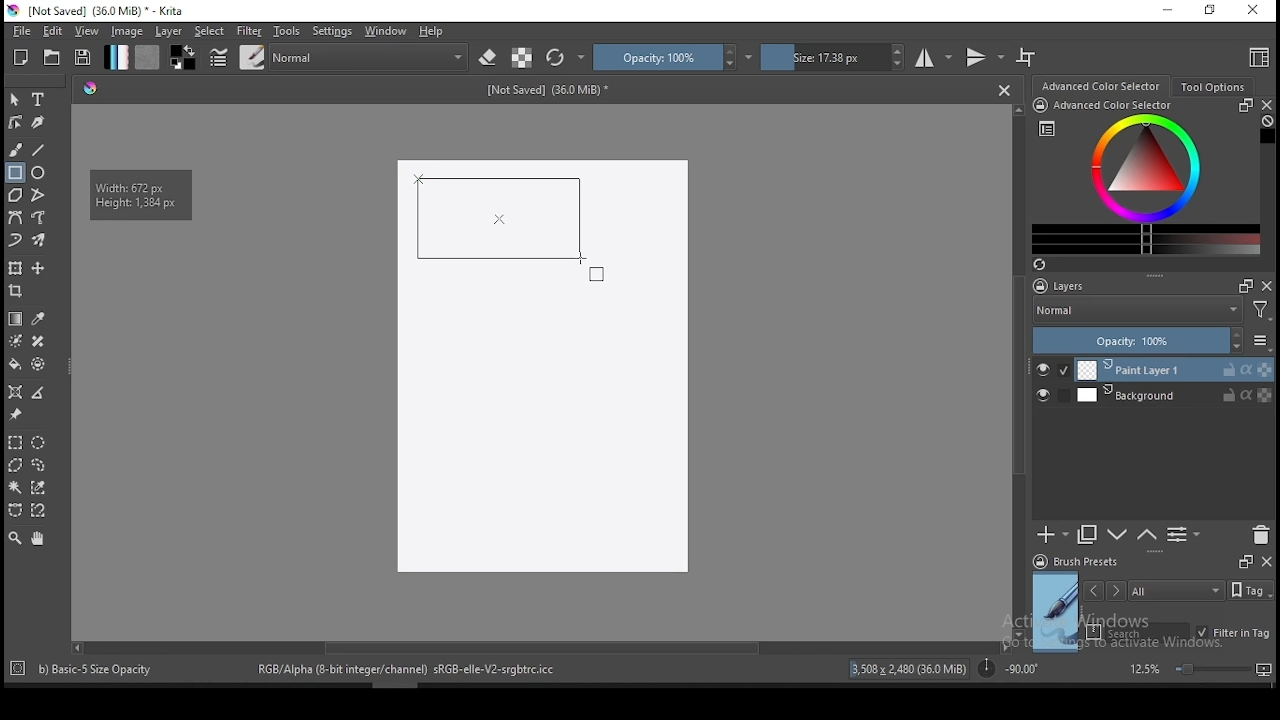  What do you see at coordinates (1267, 285) in the screenshot?
I see `close docker` at bounding box center [1267, 285].